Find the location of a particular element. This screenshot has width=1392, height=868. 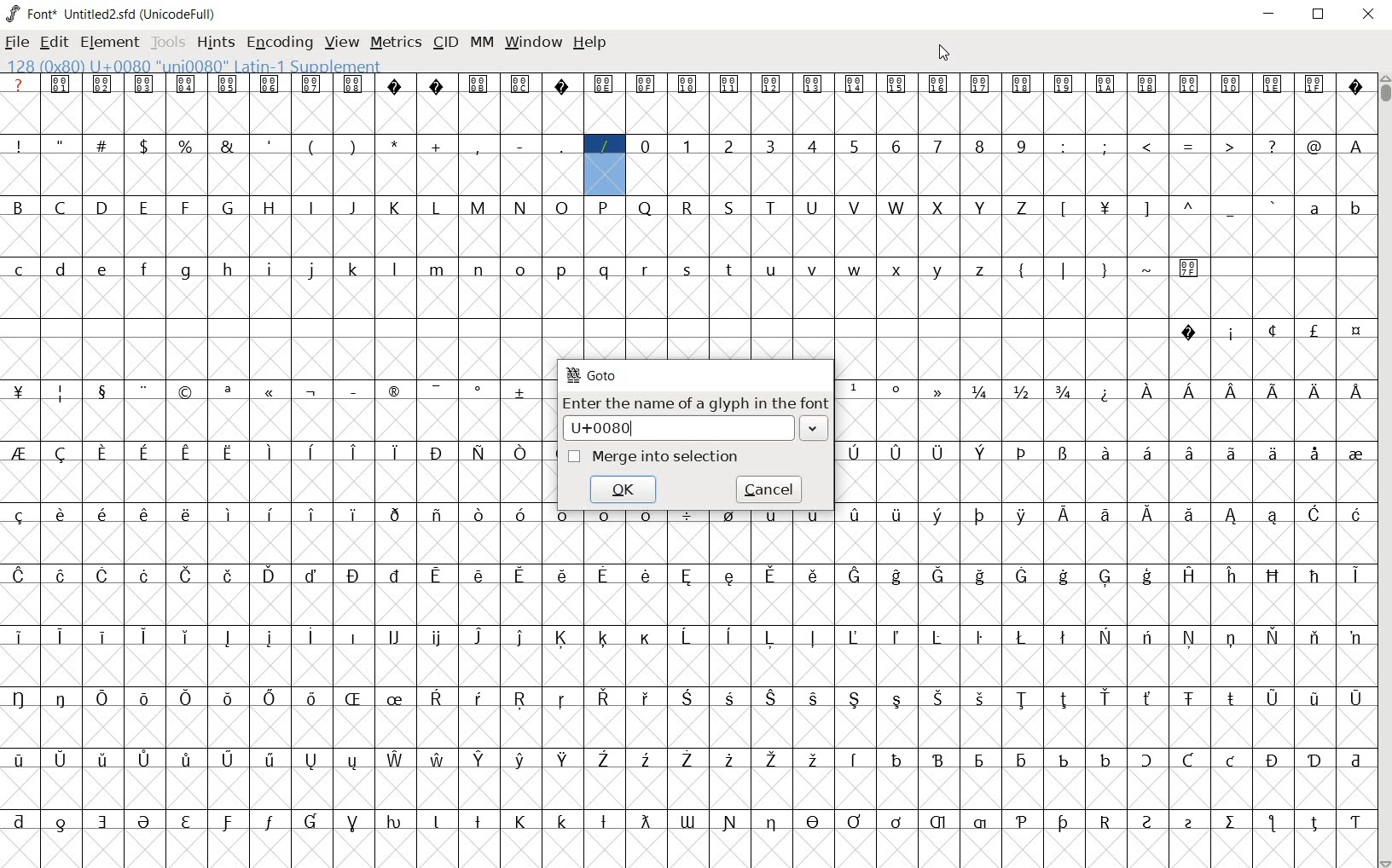

glyph is located at coordinates (311, 148).